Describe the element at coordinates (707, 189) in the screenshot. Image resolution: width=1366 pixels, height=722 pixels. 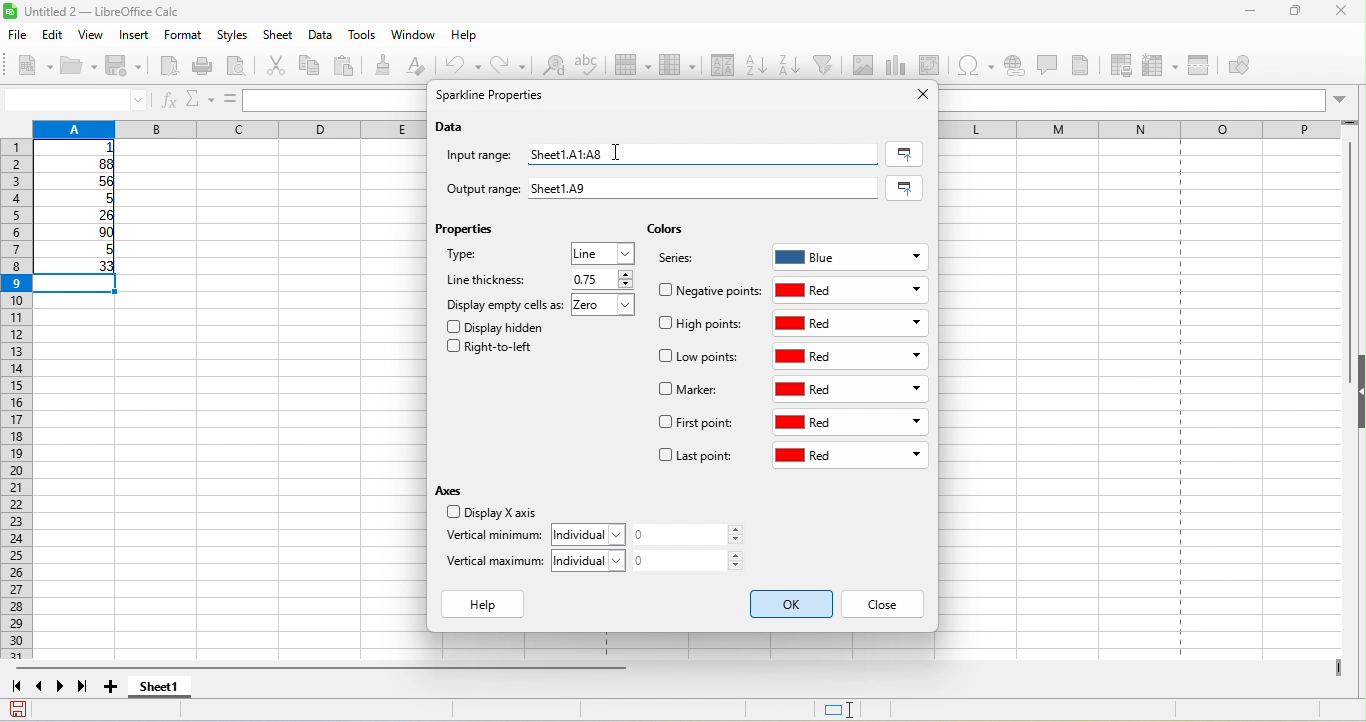
I see `sheet a9` at that location.